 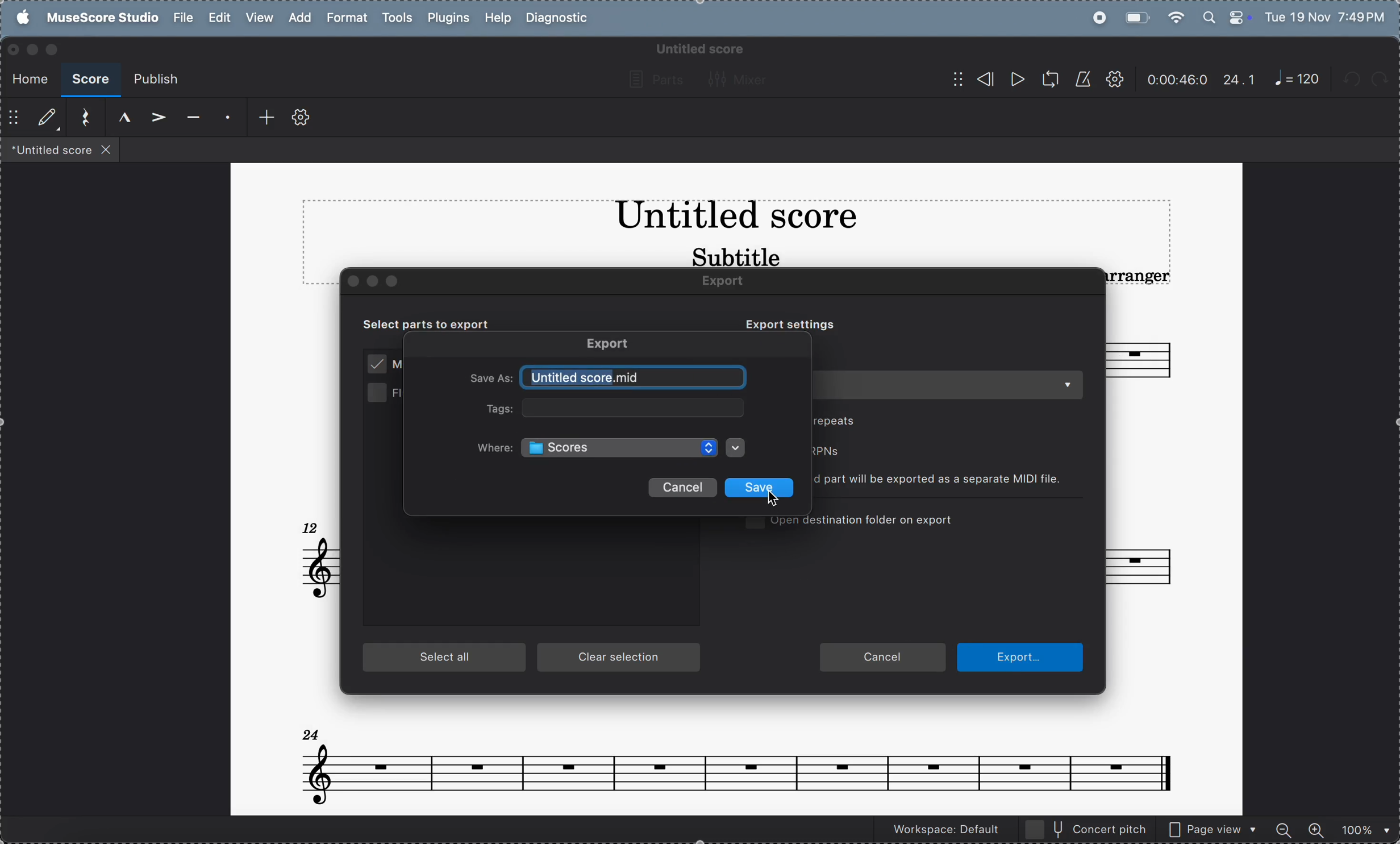 What do you see at coordinates (1114, 80) in the screenshot?
I see `settings` at bounding box center [1114, 80].